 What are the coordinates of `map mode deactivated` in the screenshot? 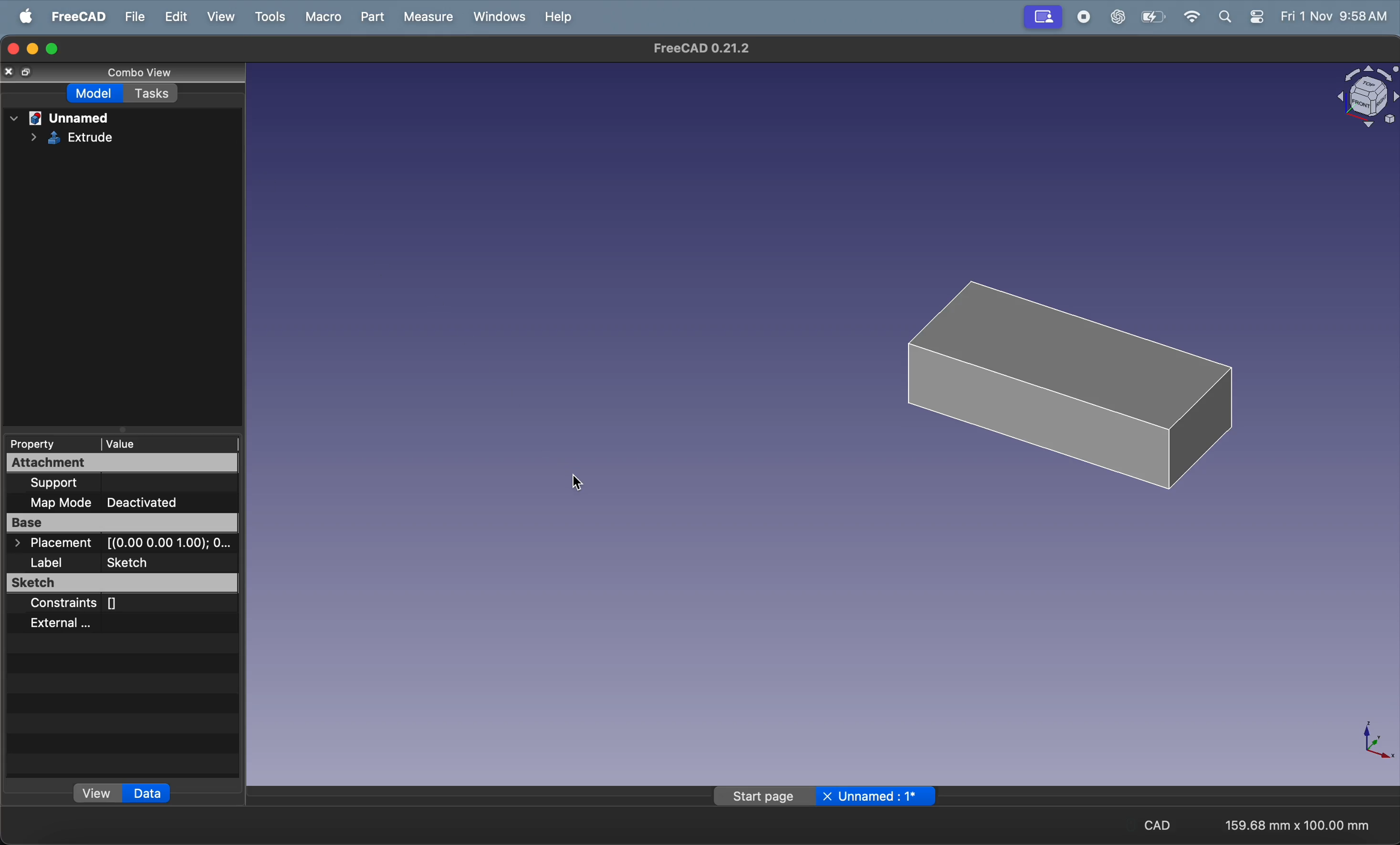 It's located at (123, 502).